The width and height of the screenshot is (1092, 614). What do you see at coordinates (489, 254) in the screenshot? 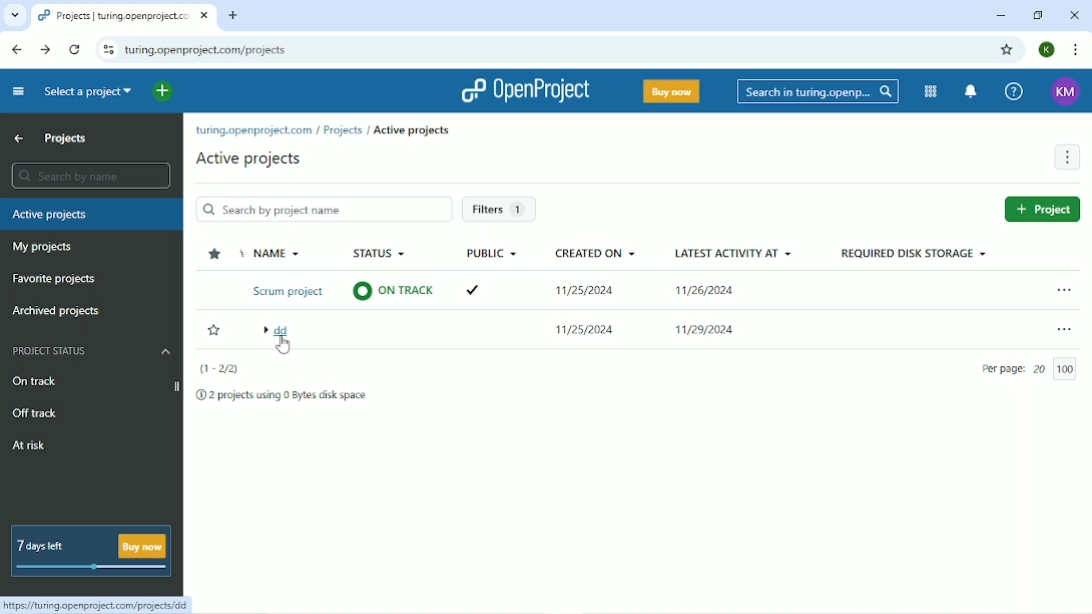
I see `Public` at bounding box center [489, 254].